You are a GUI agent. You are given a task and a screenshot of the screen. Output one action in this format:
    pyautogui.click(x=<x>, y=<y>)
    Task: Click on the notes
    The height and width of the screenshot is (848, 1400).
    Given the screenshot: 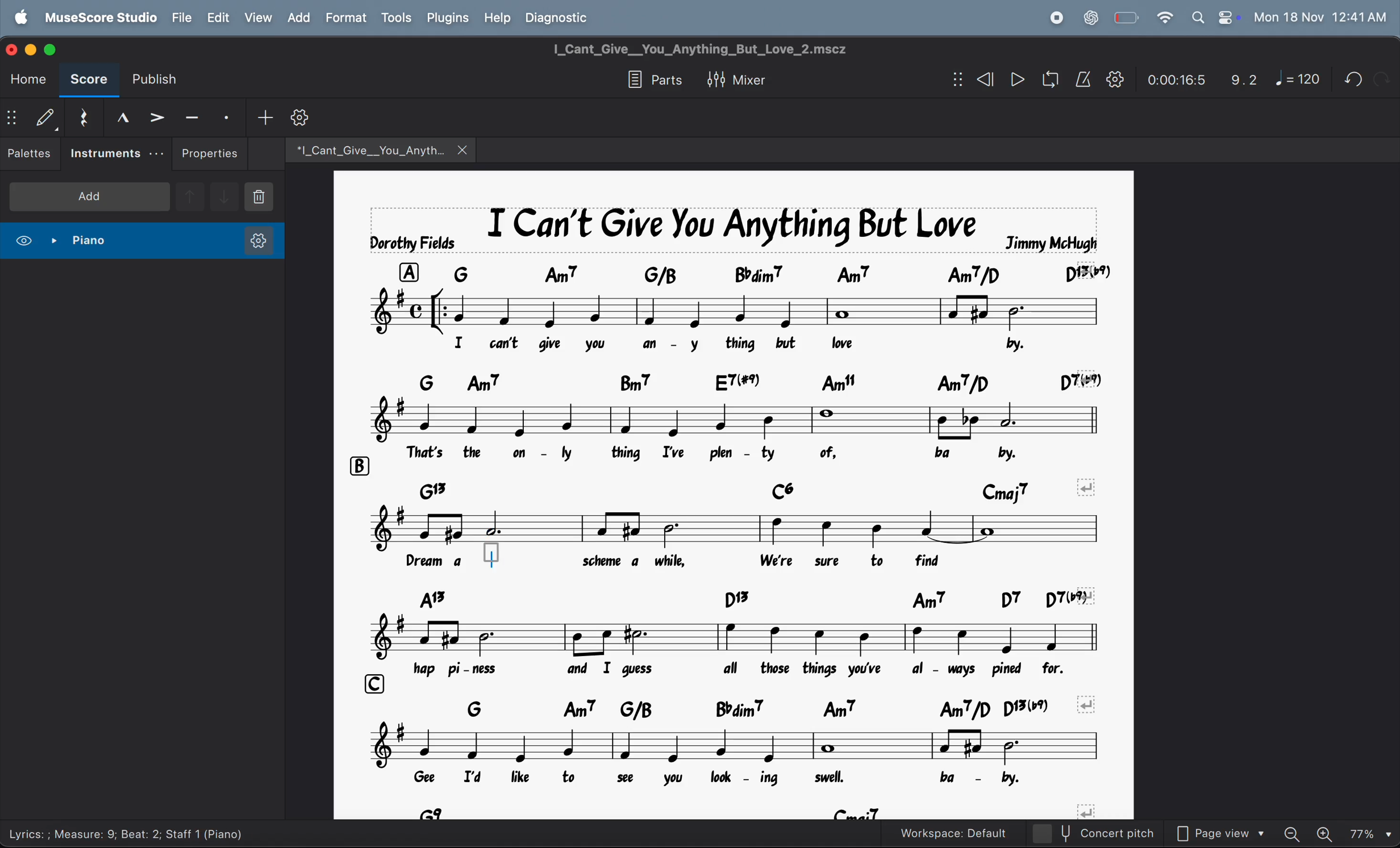 What is the action you would take?
    pyautogui.click(x=731, y=746)
    